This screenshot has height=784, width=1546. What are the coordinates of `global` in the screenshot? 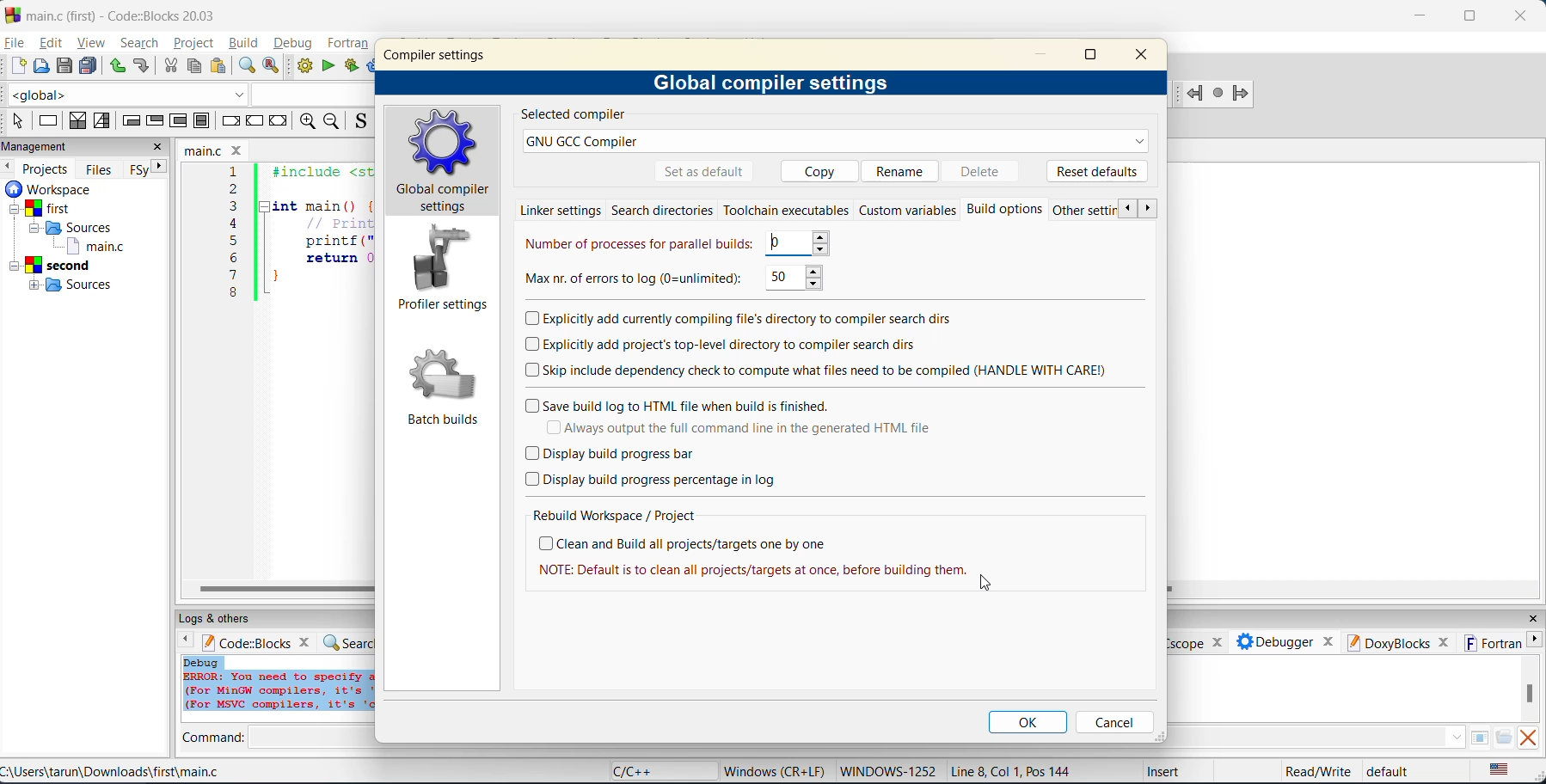 It's located at (129, 95).